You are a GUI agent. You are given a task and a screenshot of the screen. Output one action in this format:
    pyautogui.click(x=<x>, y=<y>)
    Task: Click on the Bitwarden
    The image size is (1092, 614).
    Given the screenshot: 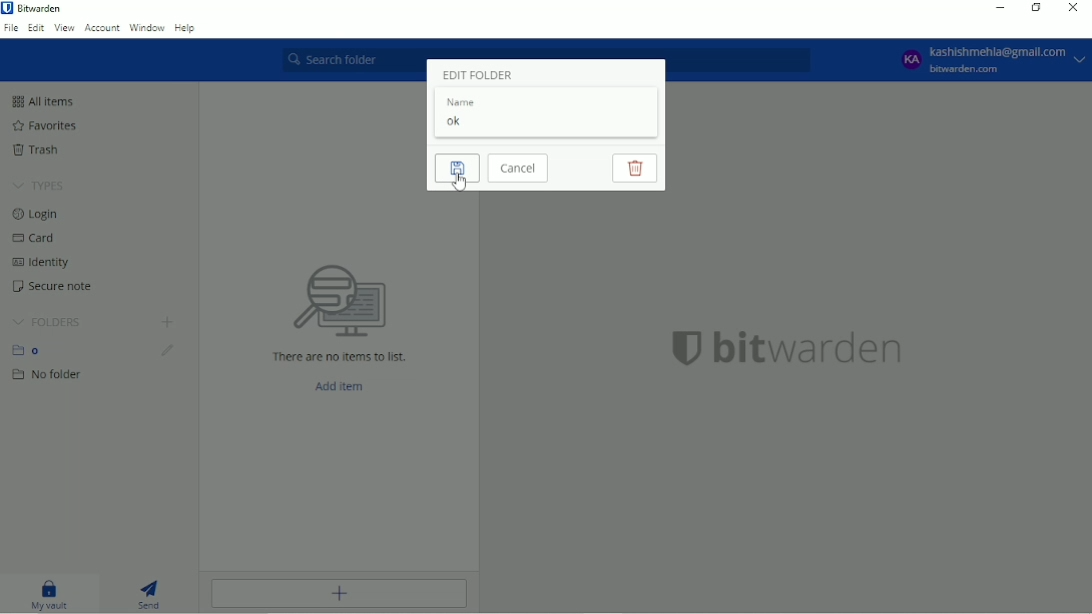 What is the action you would take?
    pyautogui.click(x=36, y=8)
    